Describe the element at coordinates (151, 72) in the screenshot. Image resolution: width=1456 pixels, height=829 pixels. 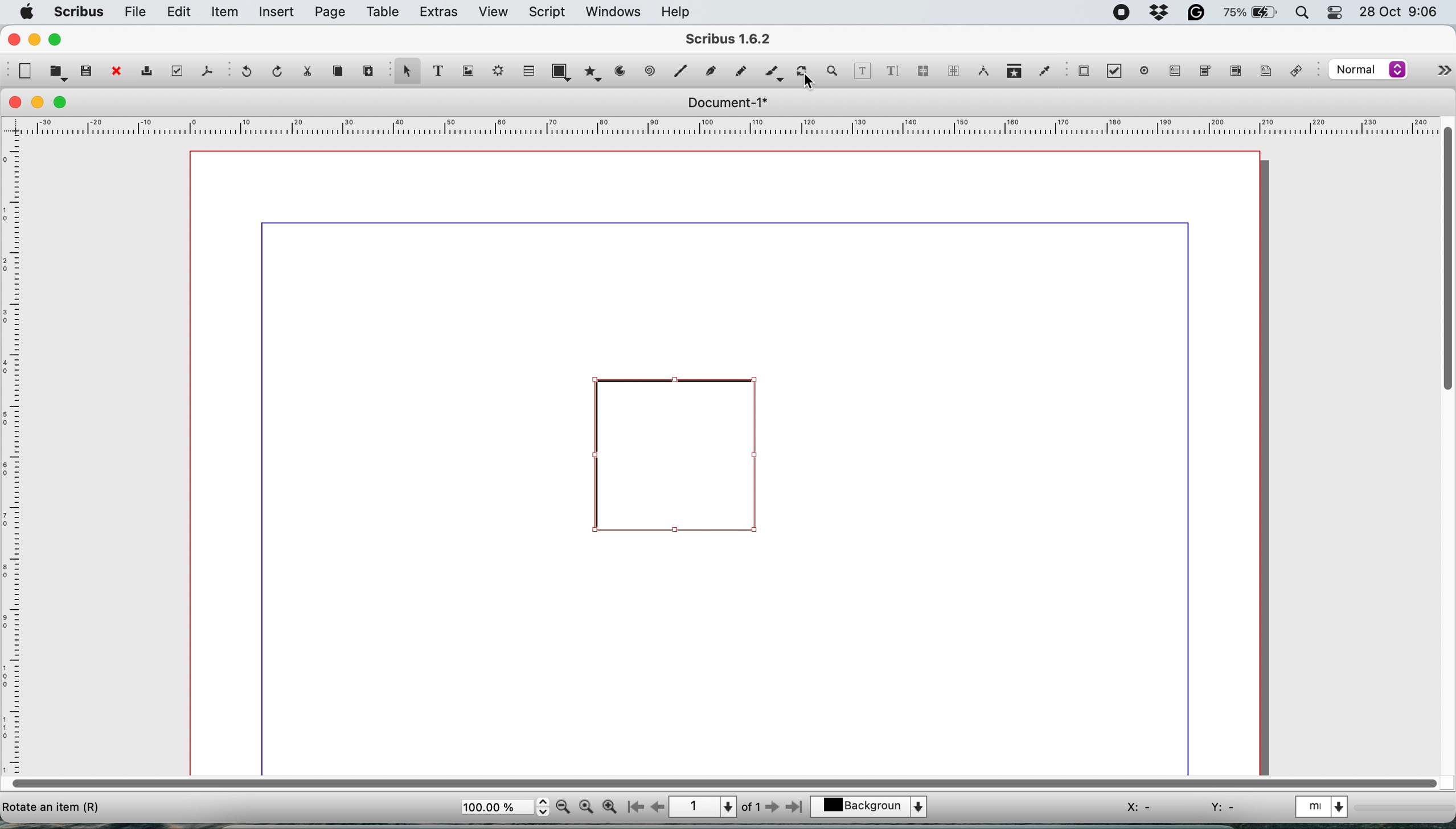
I see `print` at that location.